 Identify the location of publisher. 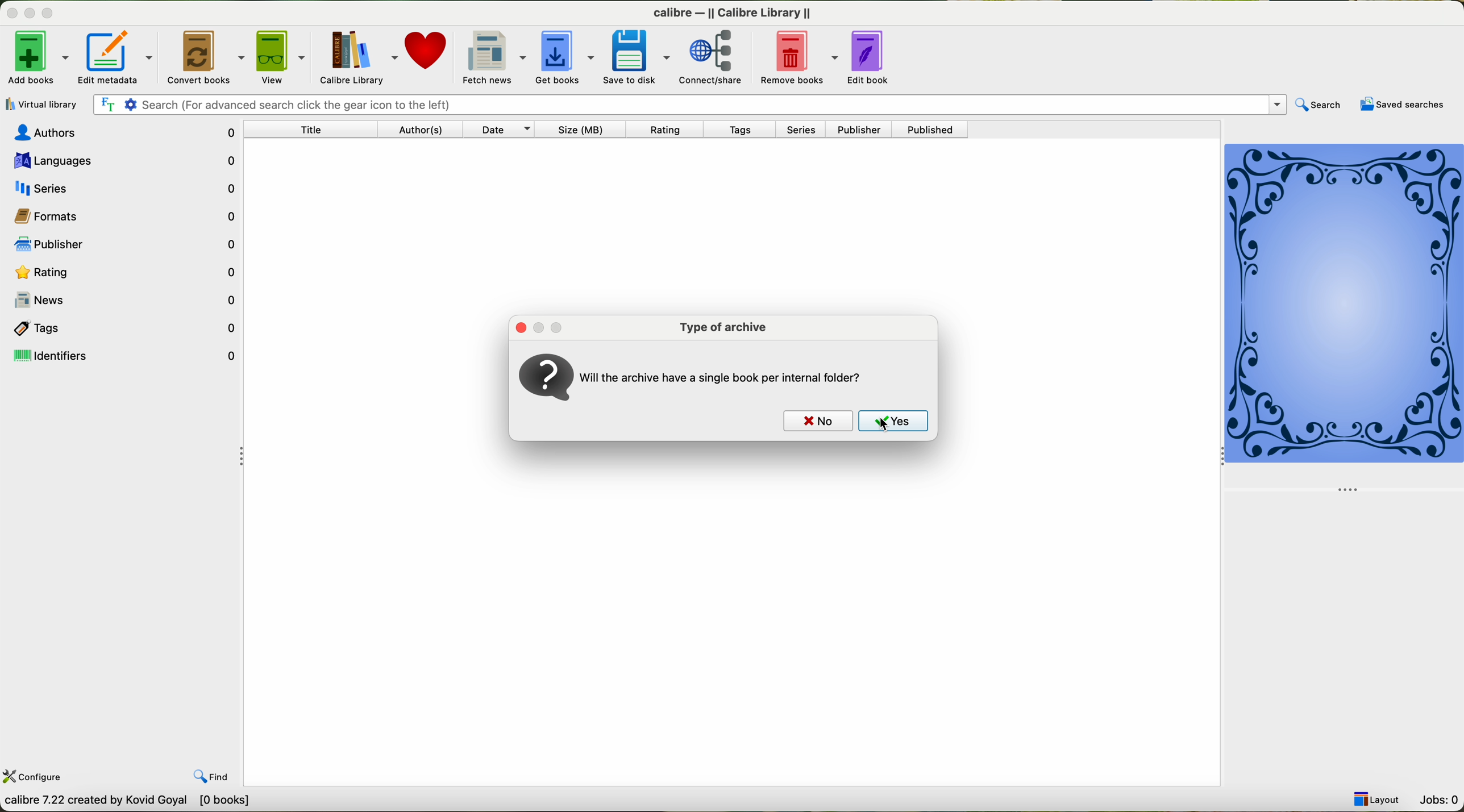
(120, 244).